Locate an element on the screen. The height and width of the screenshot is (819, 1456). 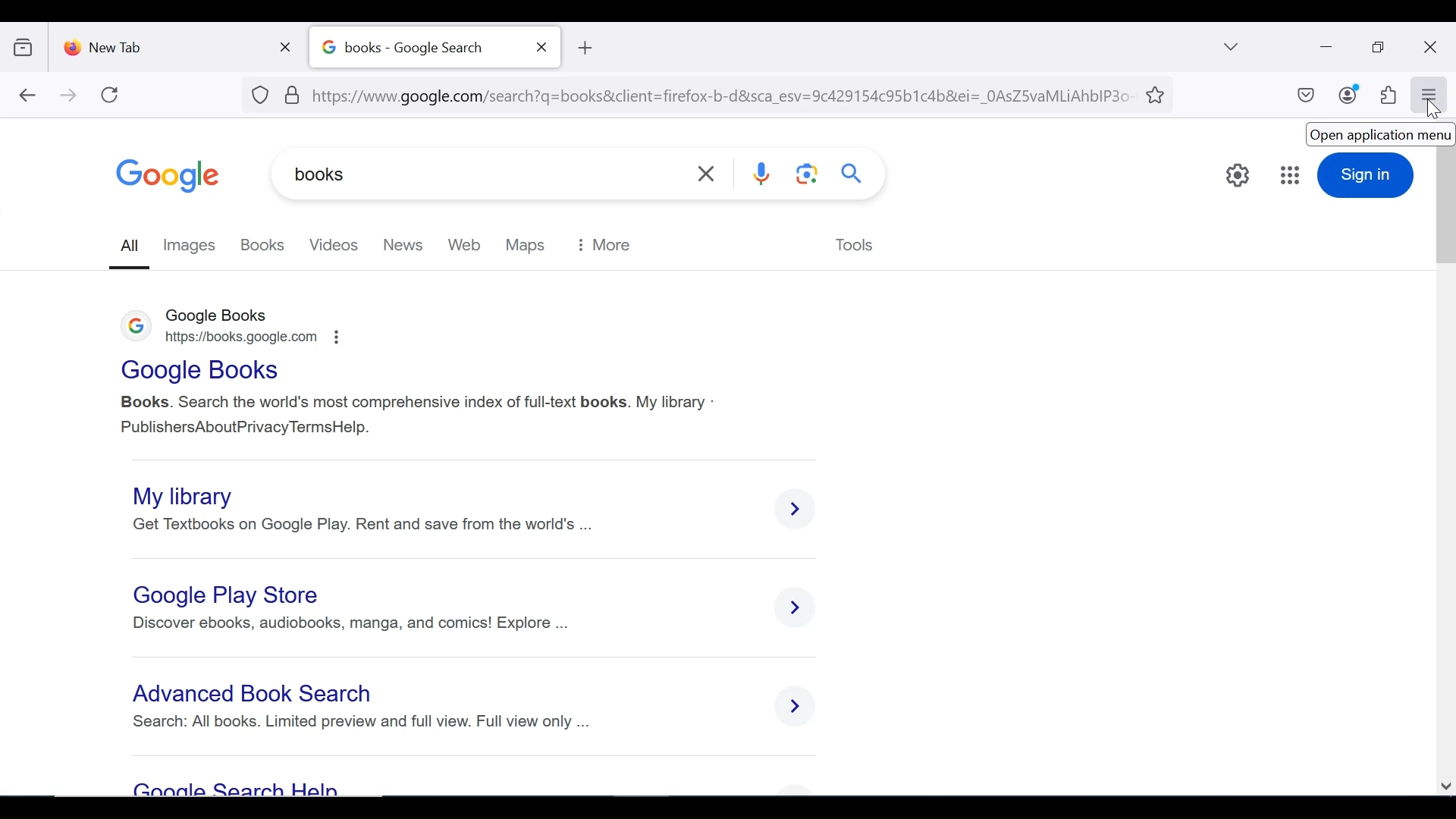
web is located at coordinates (466, 244).